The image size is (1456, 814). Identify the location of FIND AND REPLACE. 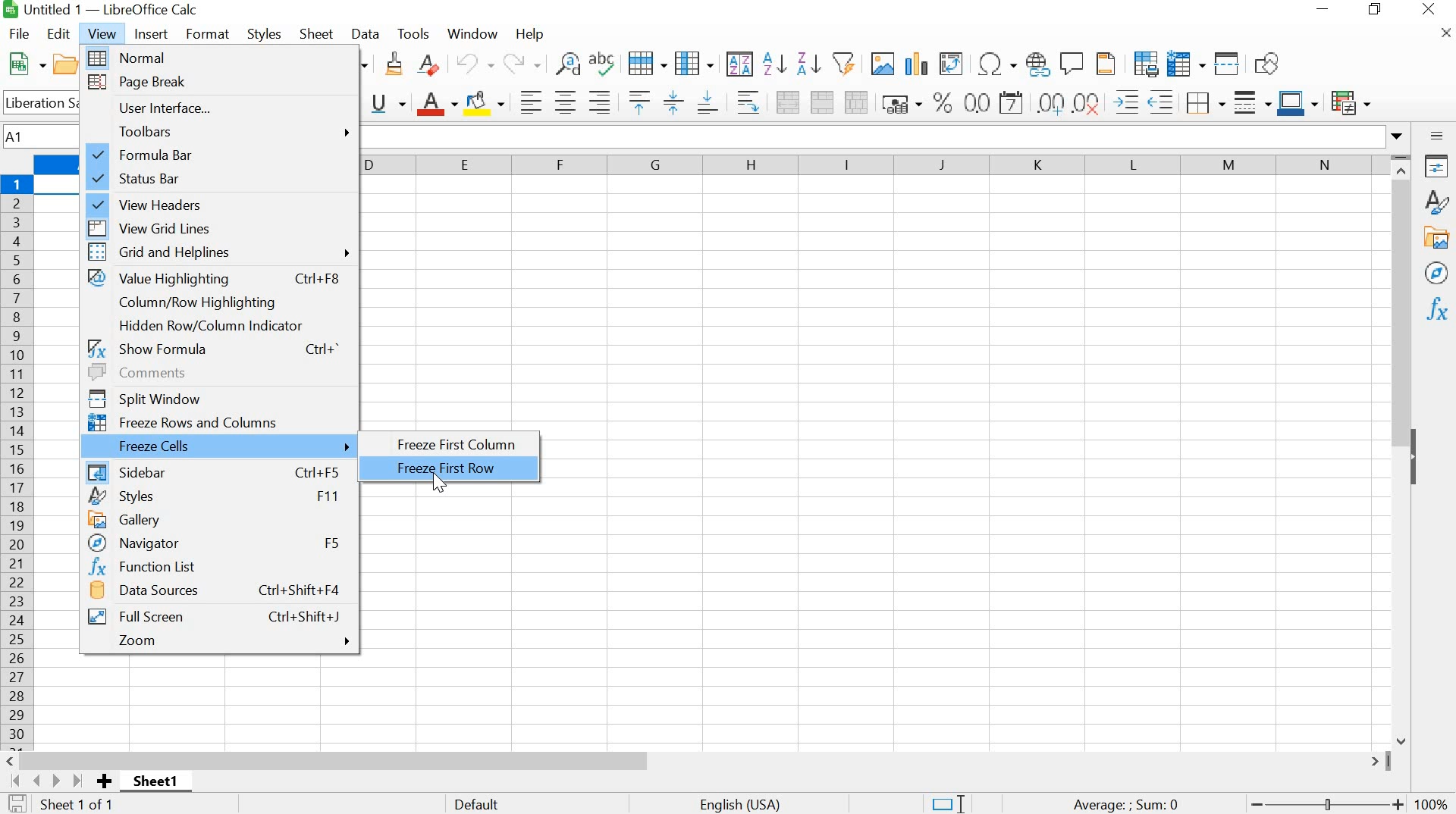
(566, 64).